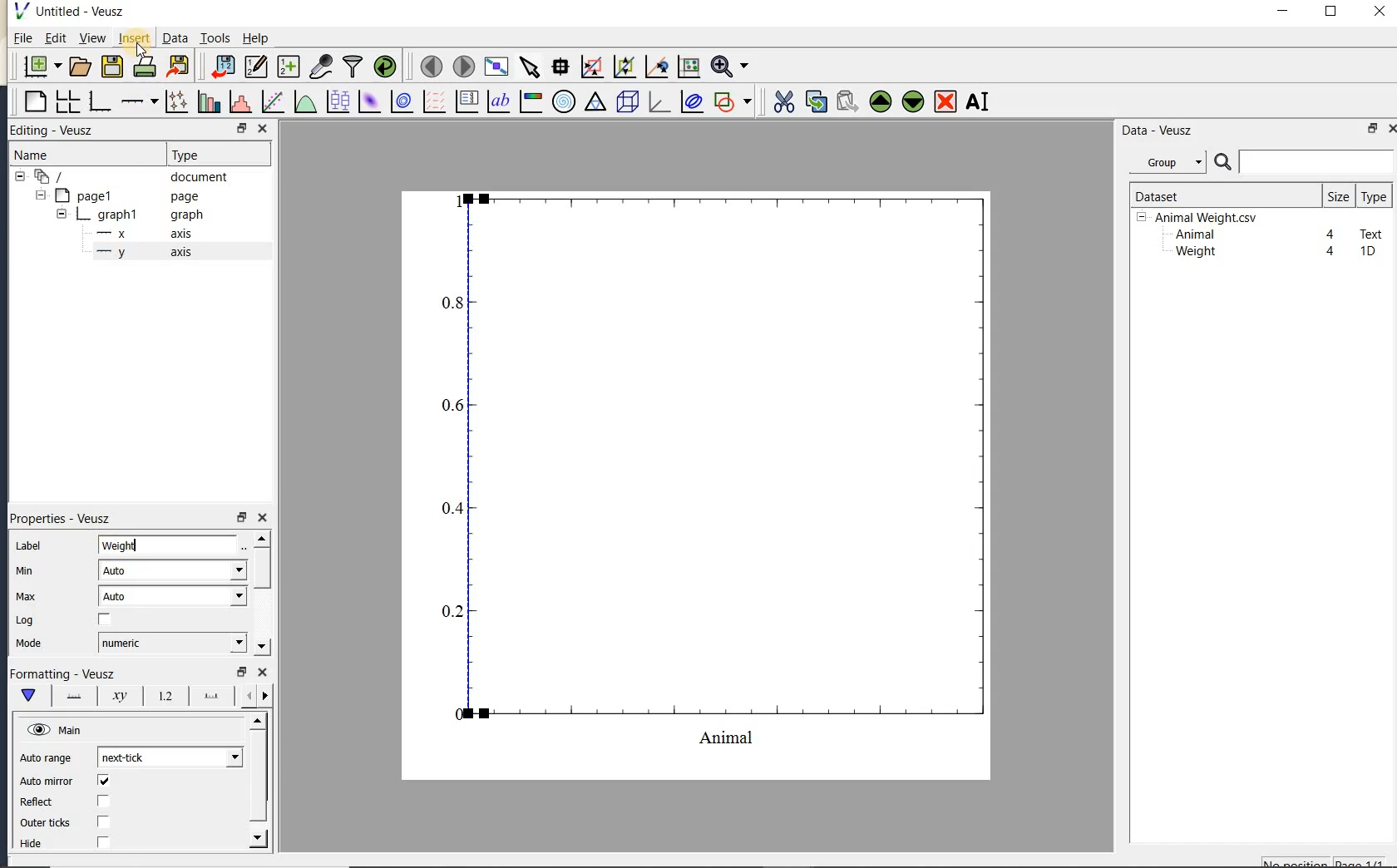  Describe the element at coordinates (782, 102) in the screenshot. I see `cut the selected widget` at that location.